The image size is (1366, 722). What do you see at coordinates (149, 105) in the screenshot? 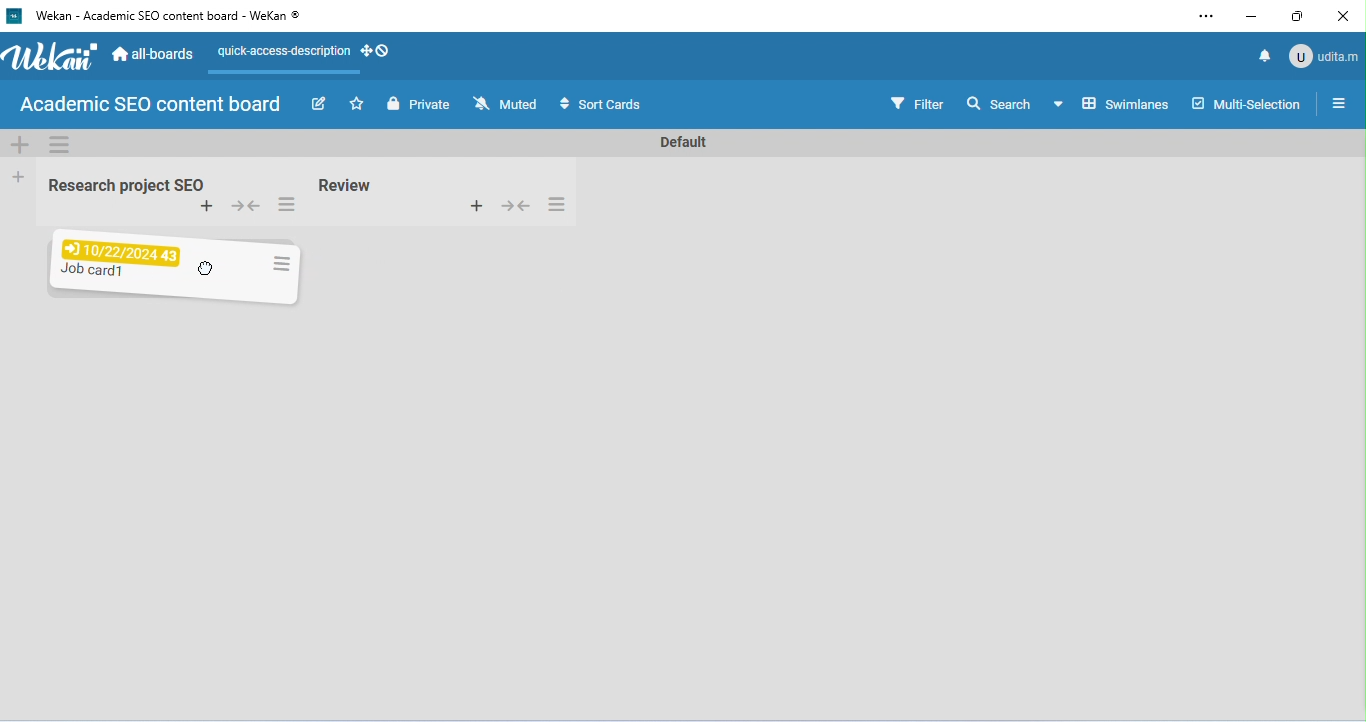
I see `board name: Academic SEO content board` at bounding box center [149, 105].